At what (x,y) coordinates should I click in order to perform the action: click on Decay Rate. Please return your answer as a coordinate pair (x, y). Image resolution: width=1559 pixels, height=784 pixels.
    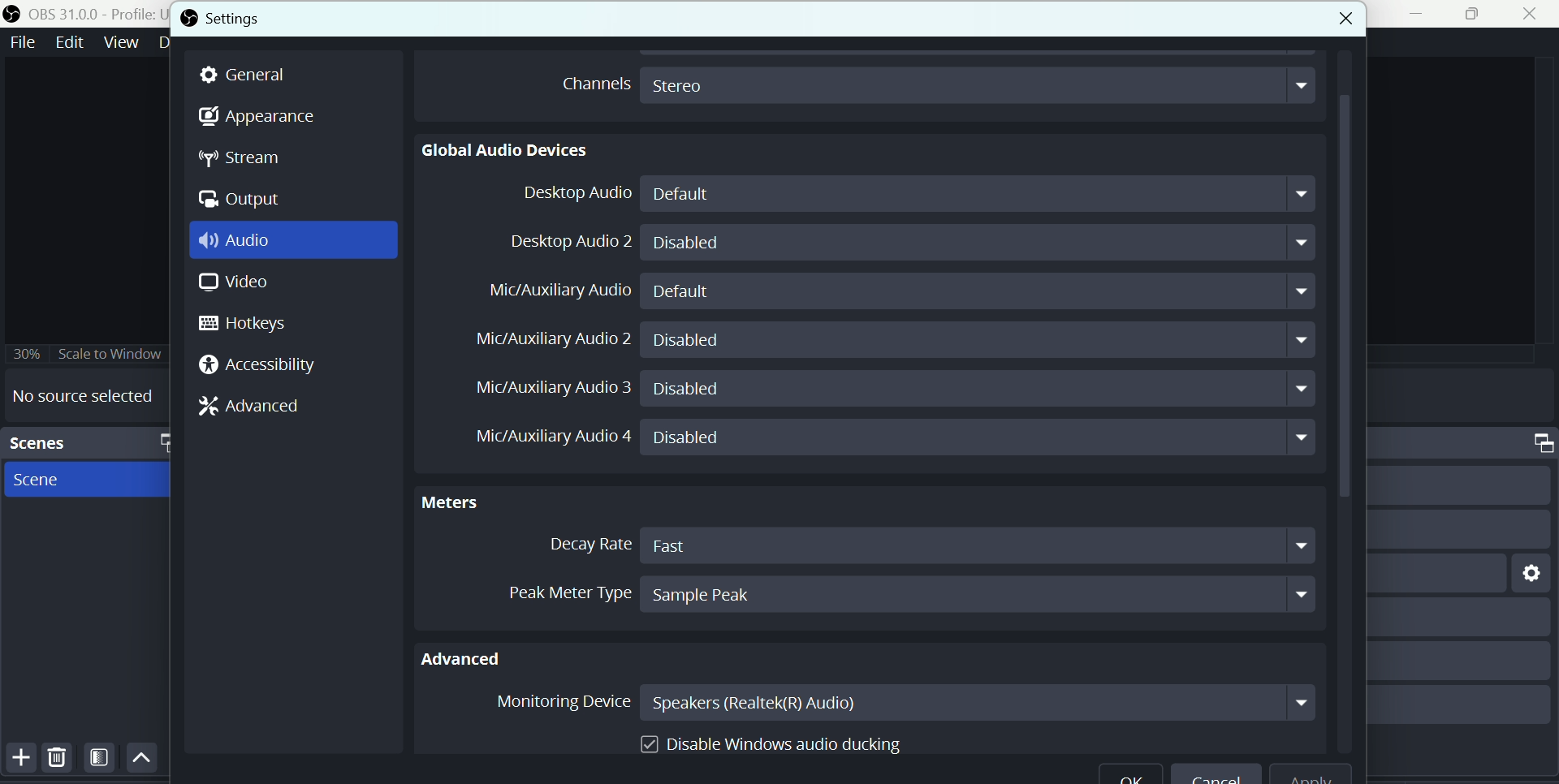
    Looking at the image, I should click on (584, 545).